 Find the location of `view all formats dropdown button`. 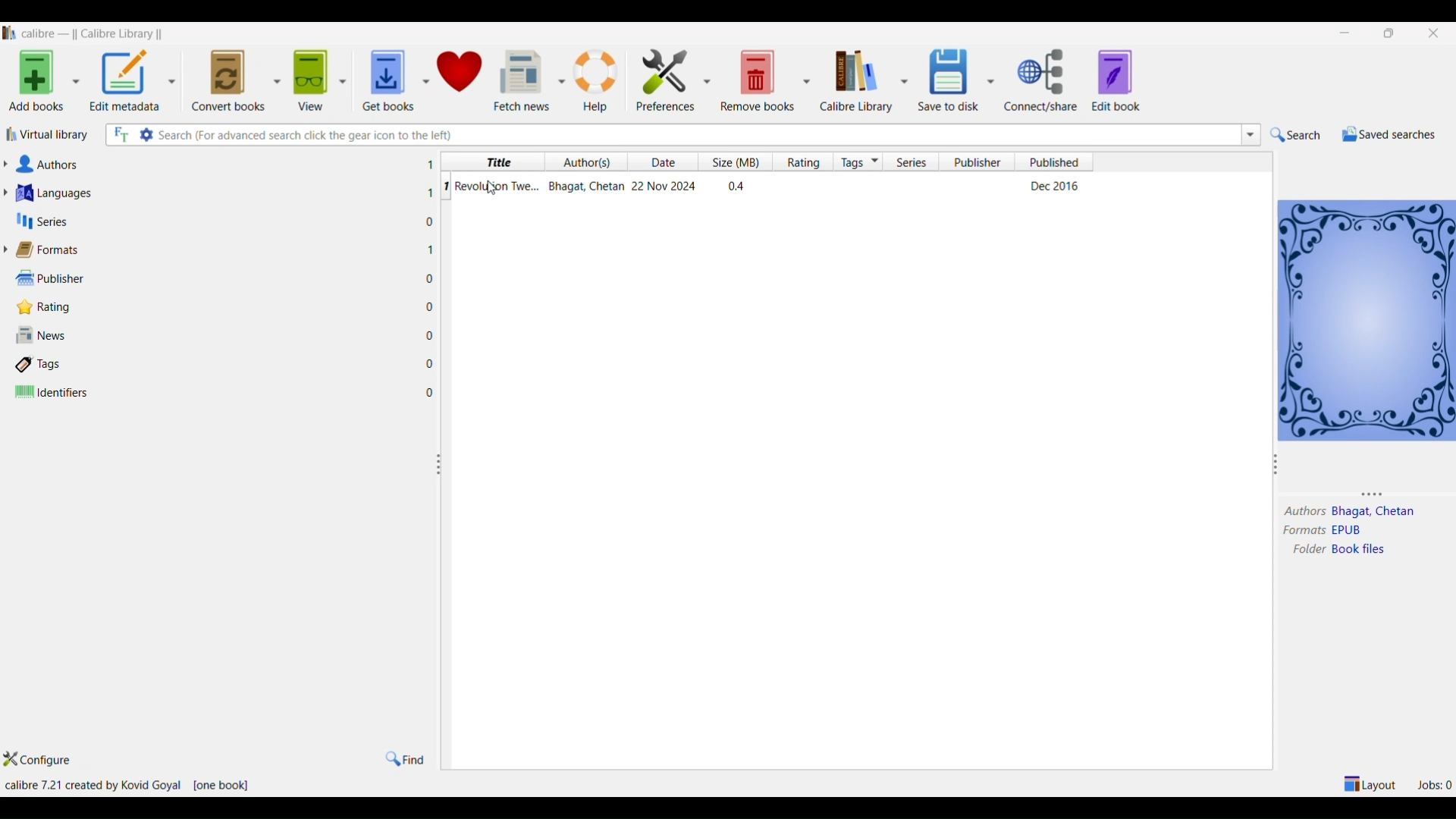

view all formats dropdown button is located at coordinates (9, 249).